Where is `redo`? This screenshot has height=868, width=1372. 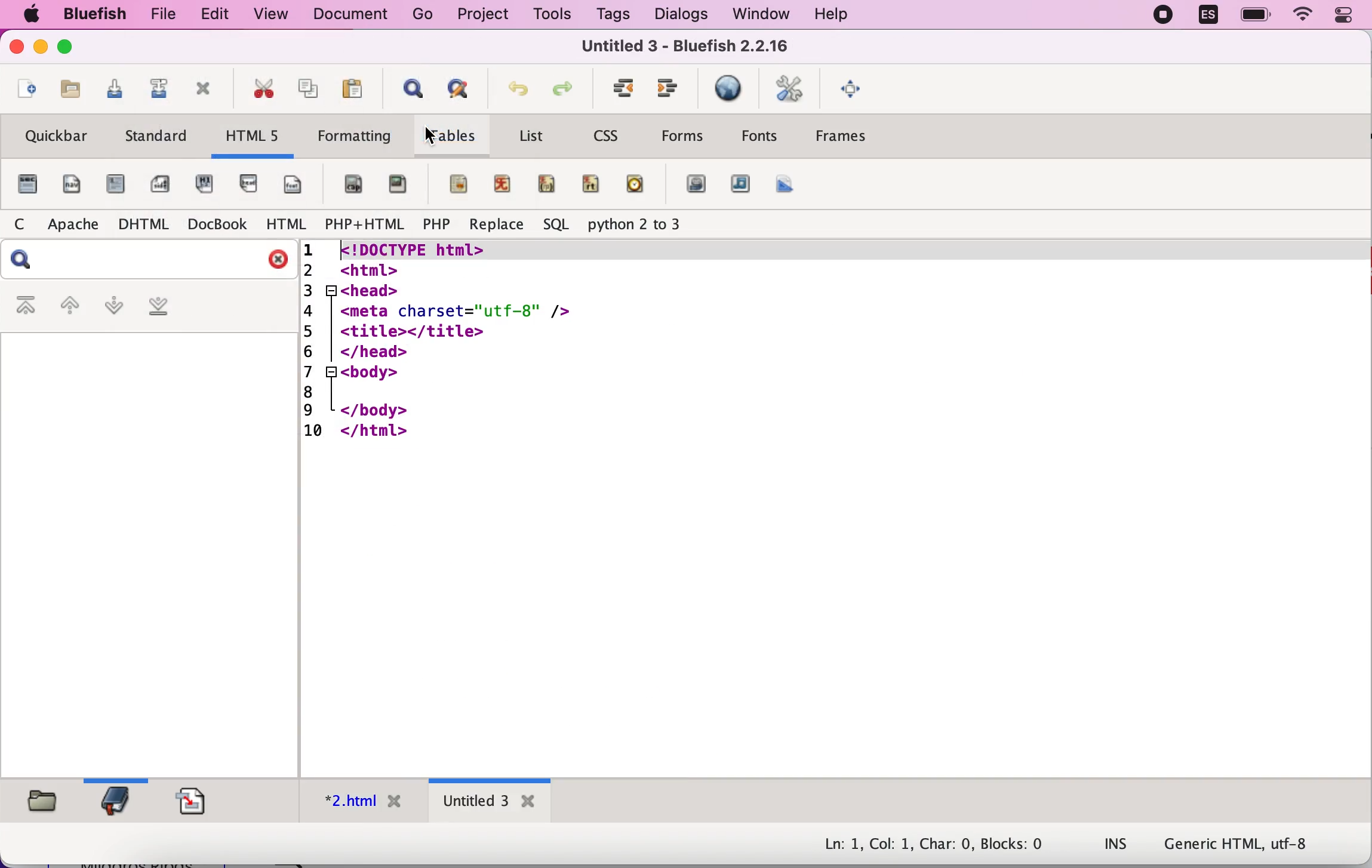 redo is located at coordinates (564, 87).